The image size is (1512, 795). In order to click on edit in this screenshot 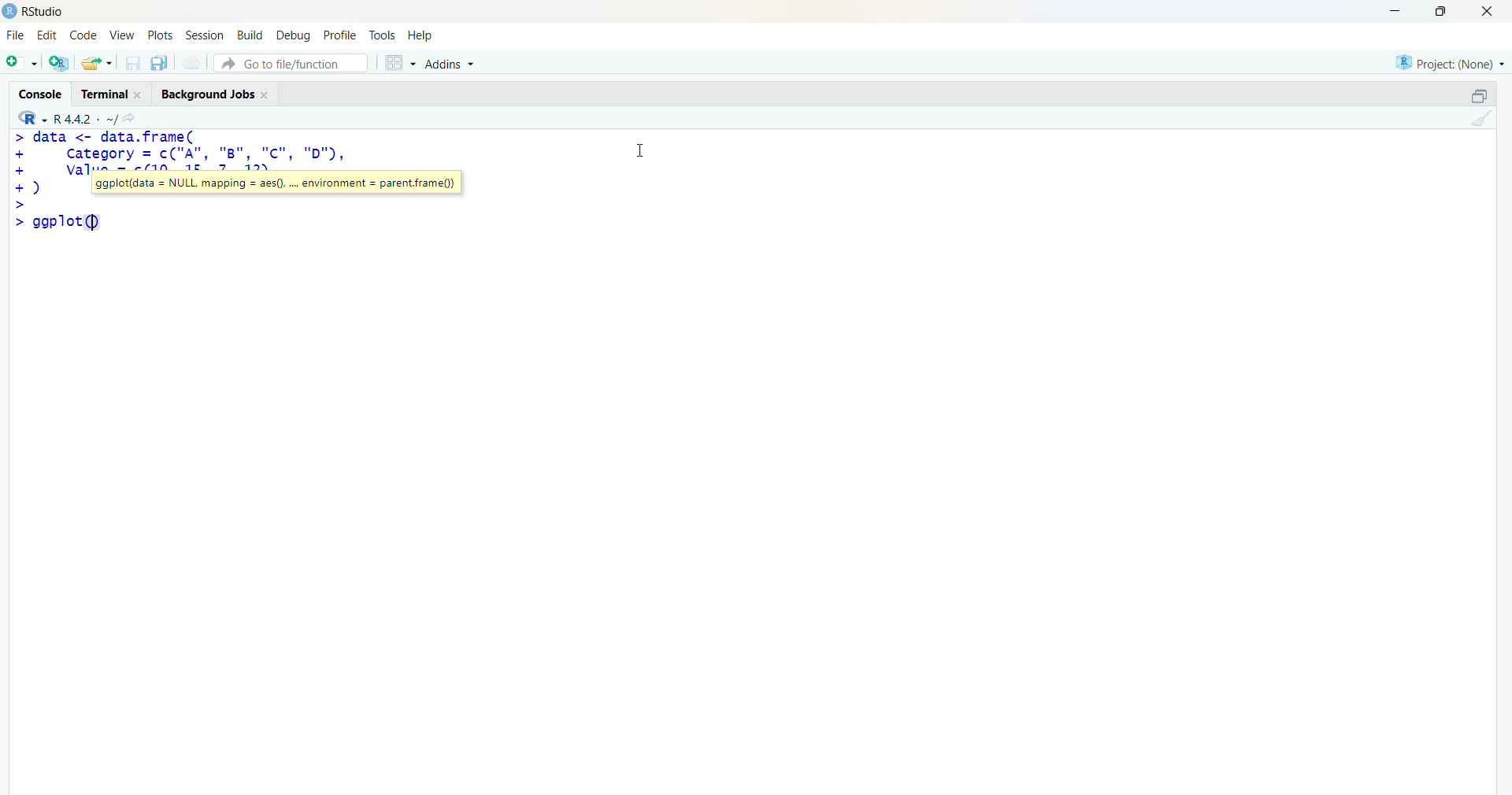, I will do `click(47, 35)`.